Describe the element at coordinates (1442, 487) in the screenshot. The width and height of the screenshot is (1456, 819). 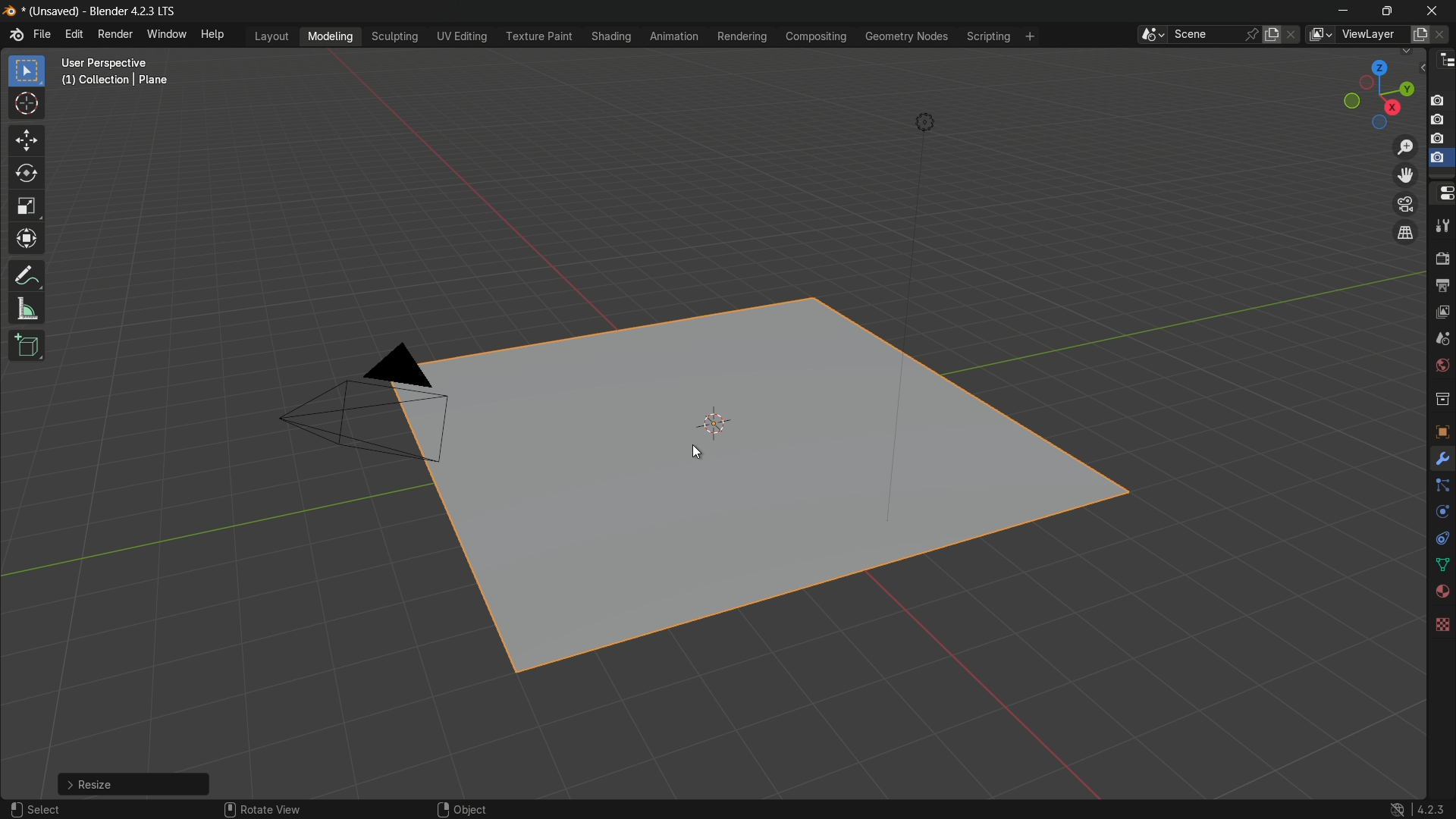
I see `particles` at that location.